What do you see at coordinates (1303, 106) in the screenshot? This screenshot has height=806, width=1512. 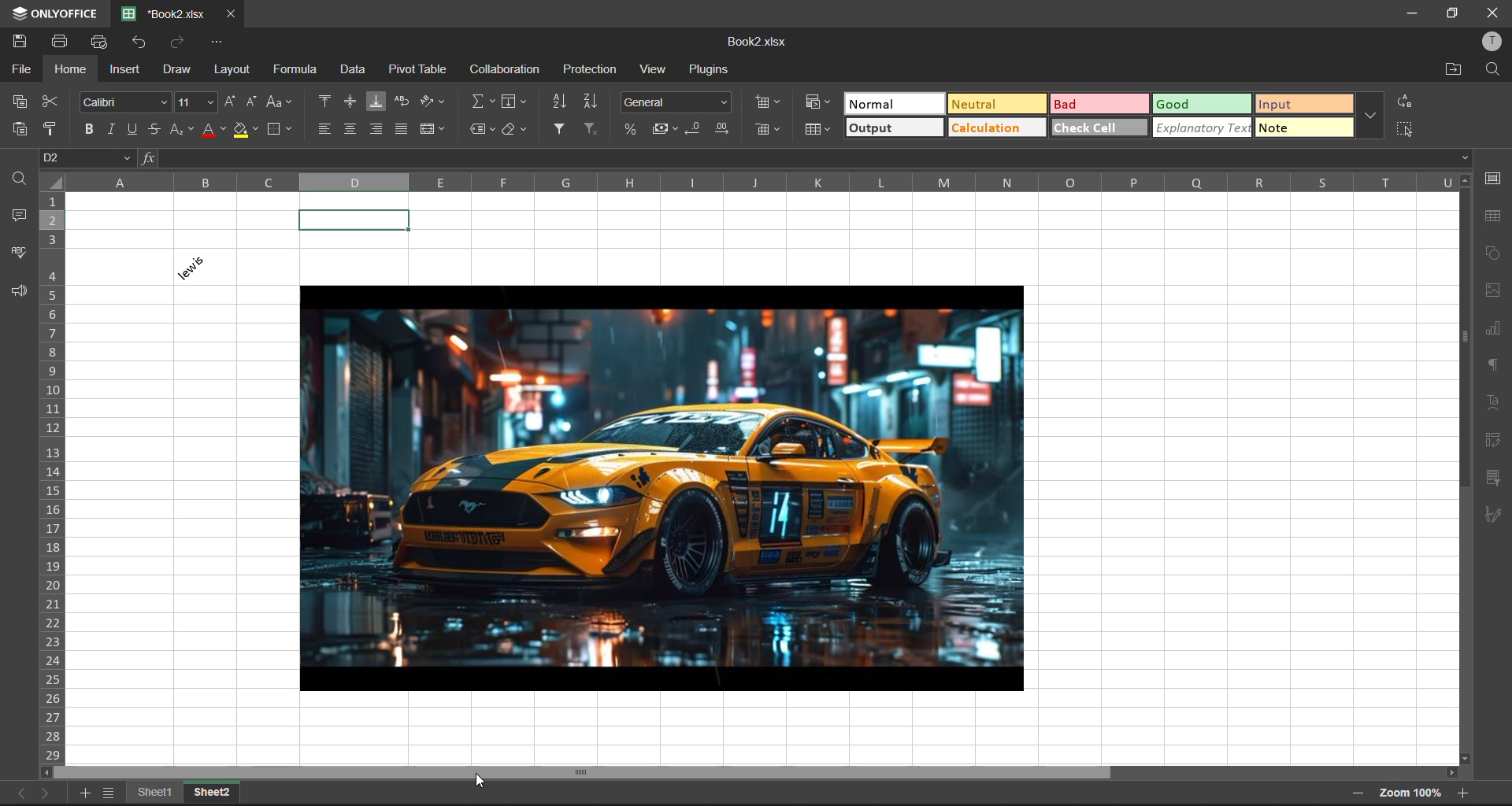 I see `input` at bounding box center [1303, 106].